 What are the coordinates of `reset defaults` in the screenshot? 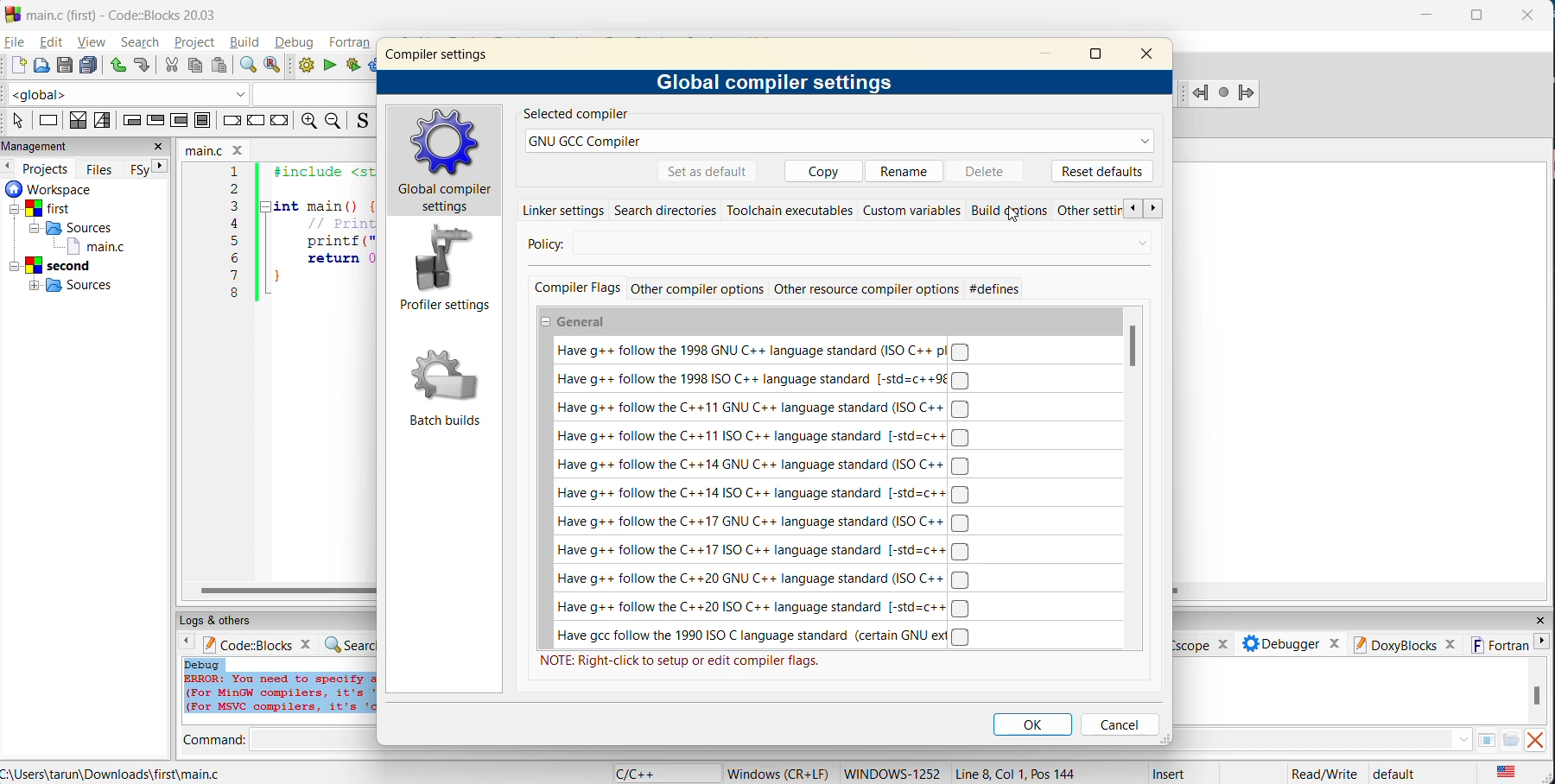 It's located at (1101, 172).